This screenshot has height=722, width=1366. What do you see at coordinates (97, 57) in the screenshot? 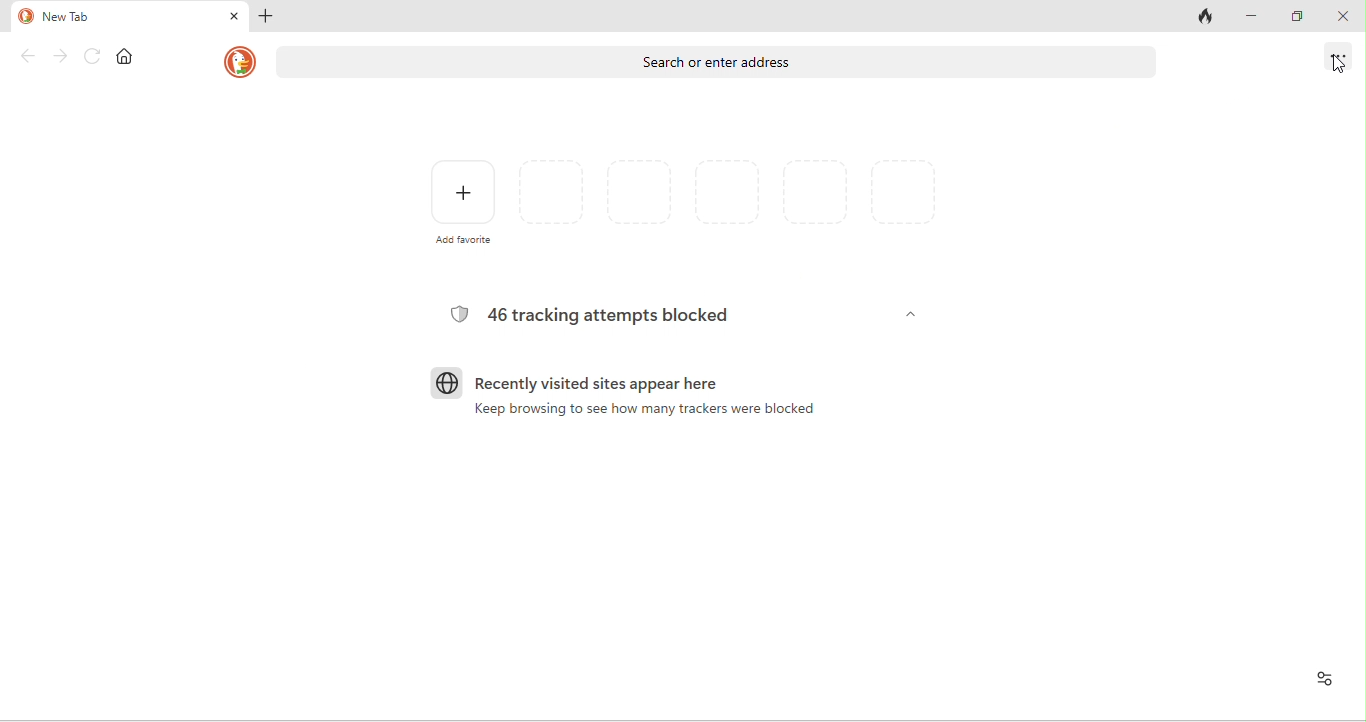
I see `reload` at bounding box center [97, 57].